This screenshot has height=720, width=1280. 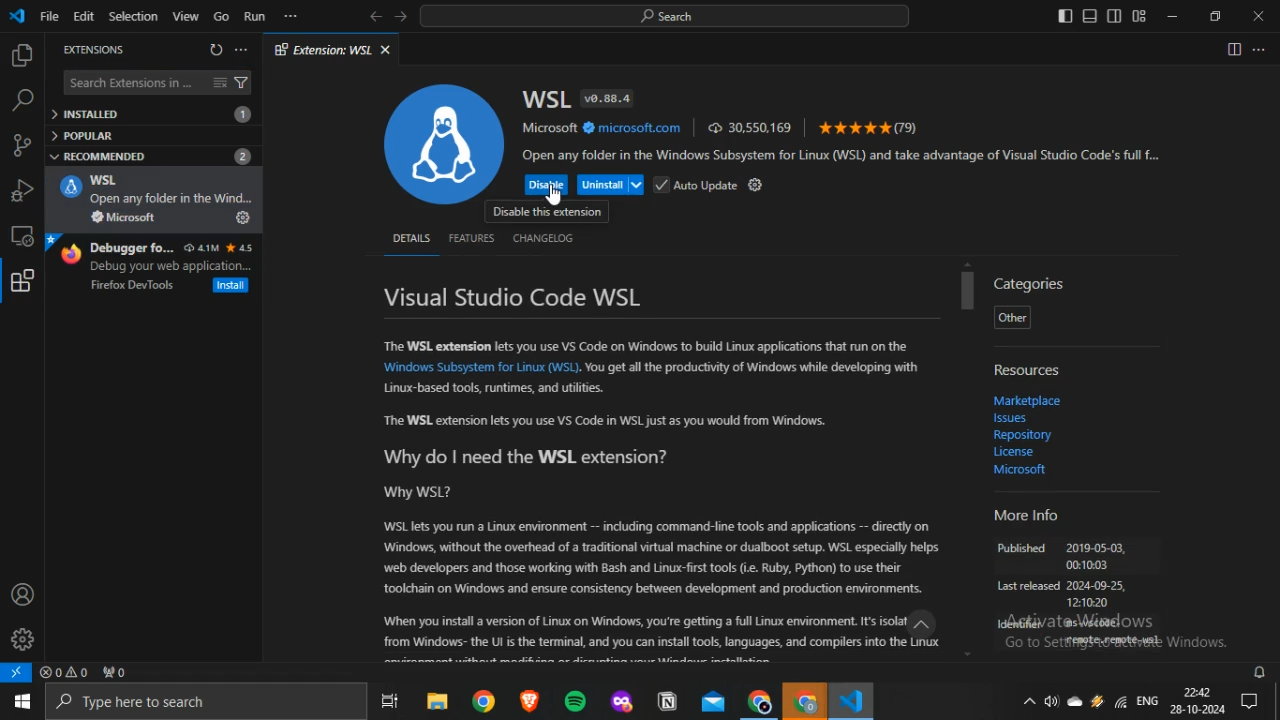 What do you see at coordinates (715, 701) in the screenshot?
I see `outlook` at bounding box center [715, 701].